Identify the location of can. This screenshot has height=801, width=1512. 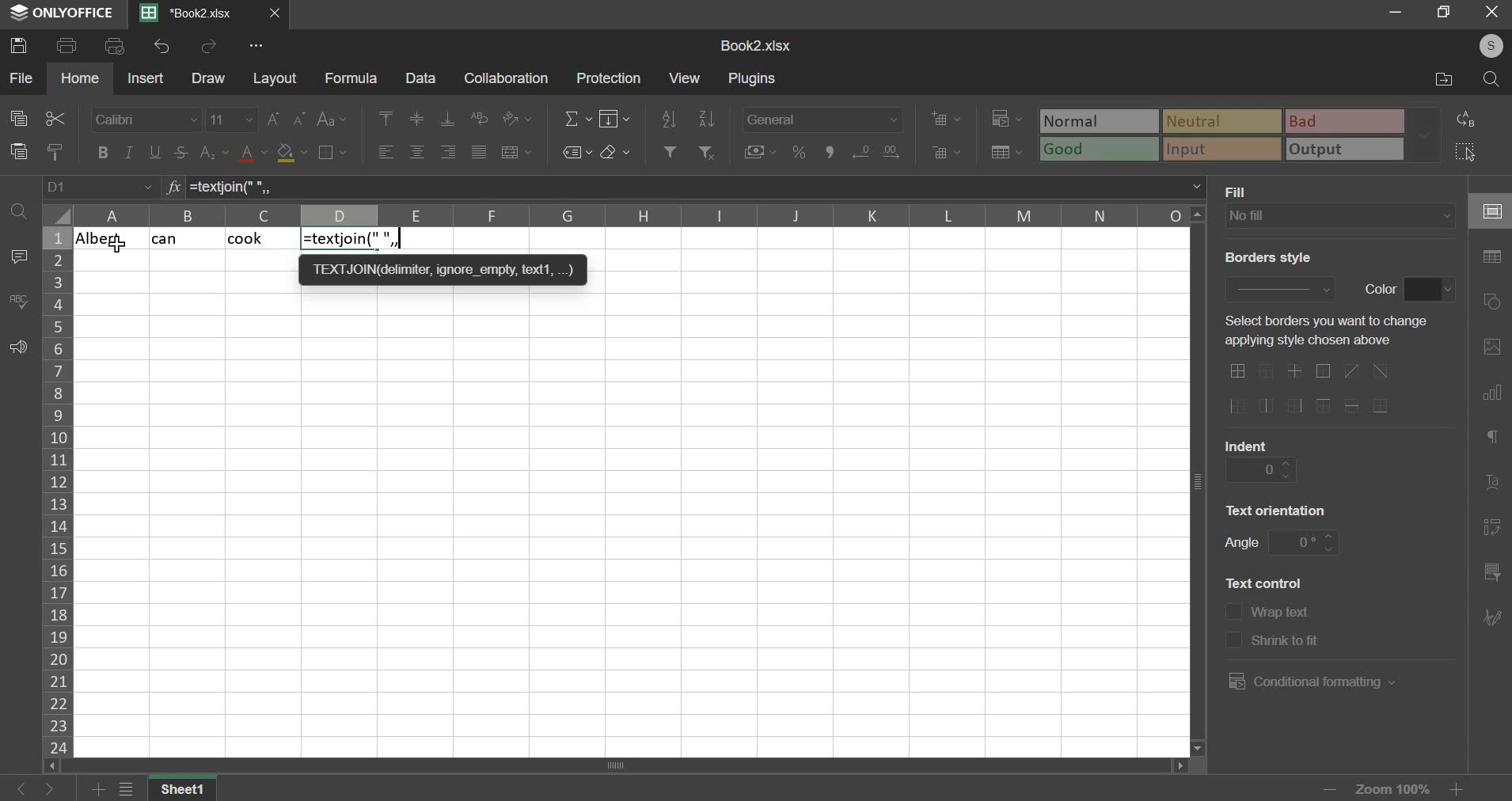
(185, 237).